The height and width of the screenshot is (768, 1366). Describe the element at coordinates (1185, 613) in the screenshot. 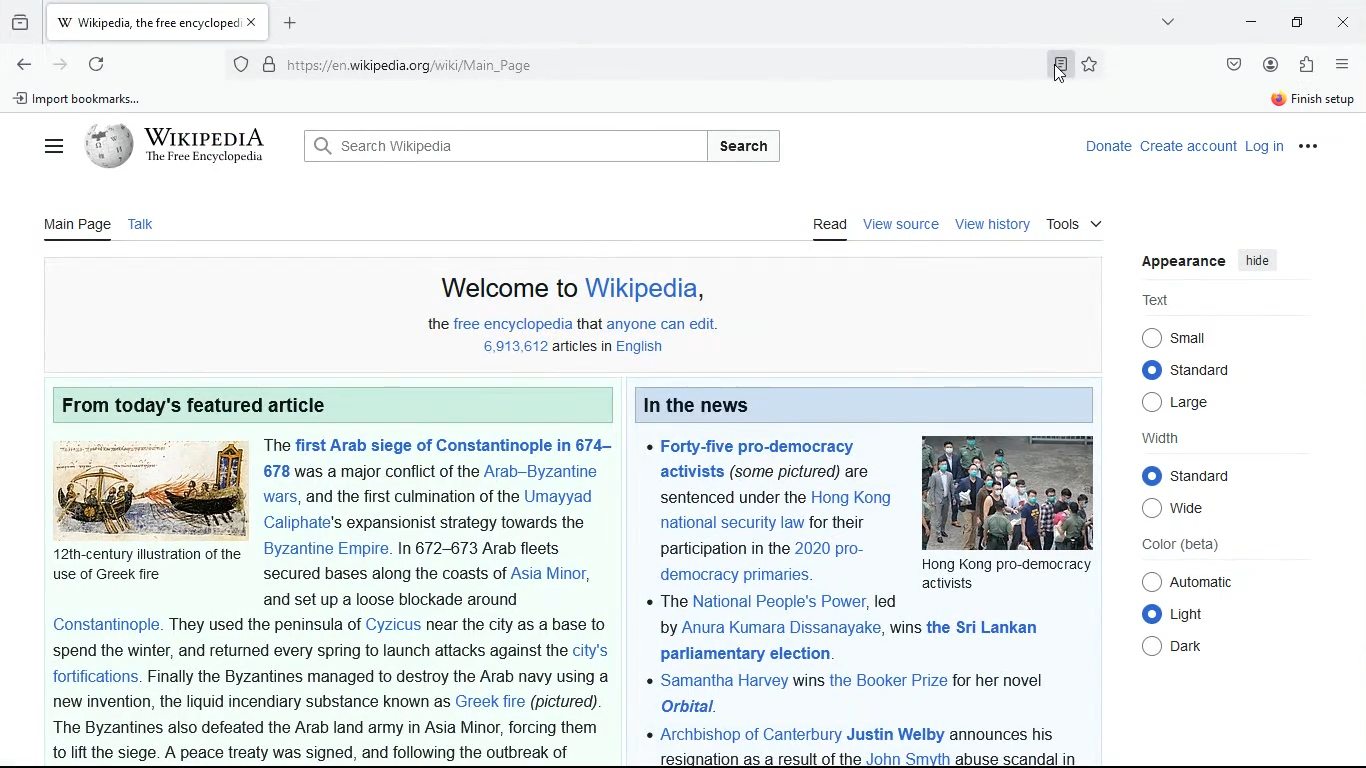

I see `light` at that location.